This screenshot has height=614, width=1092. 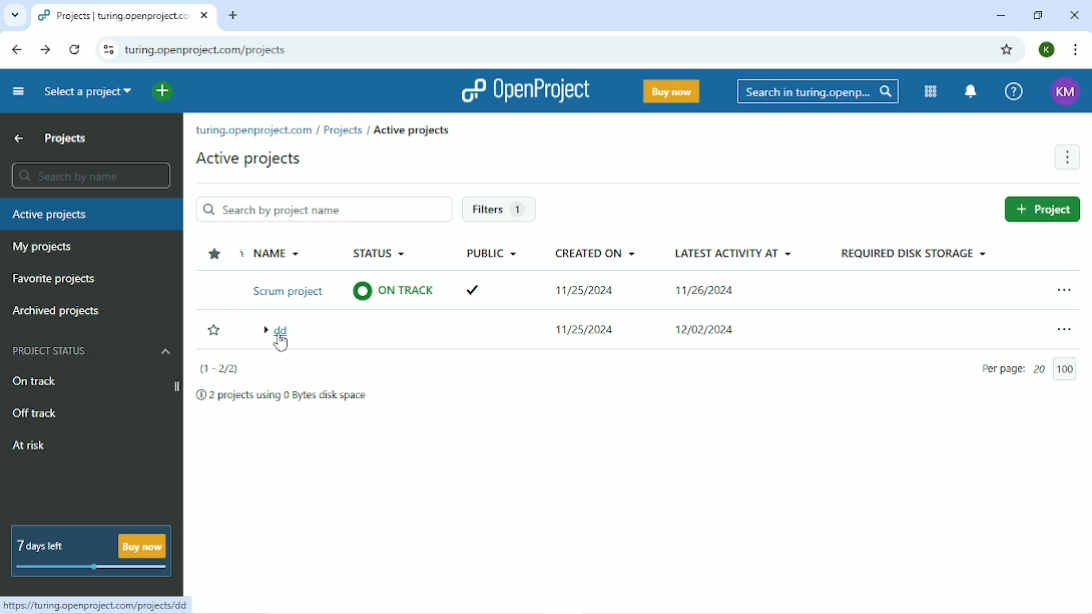 I want to click on Filters, so click(x=500, y=209).